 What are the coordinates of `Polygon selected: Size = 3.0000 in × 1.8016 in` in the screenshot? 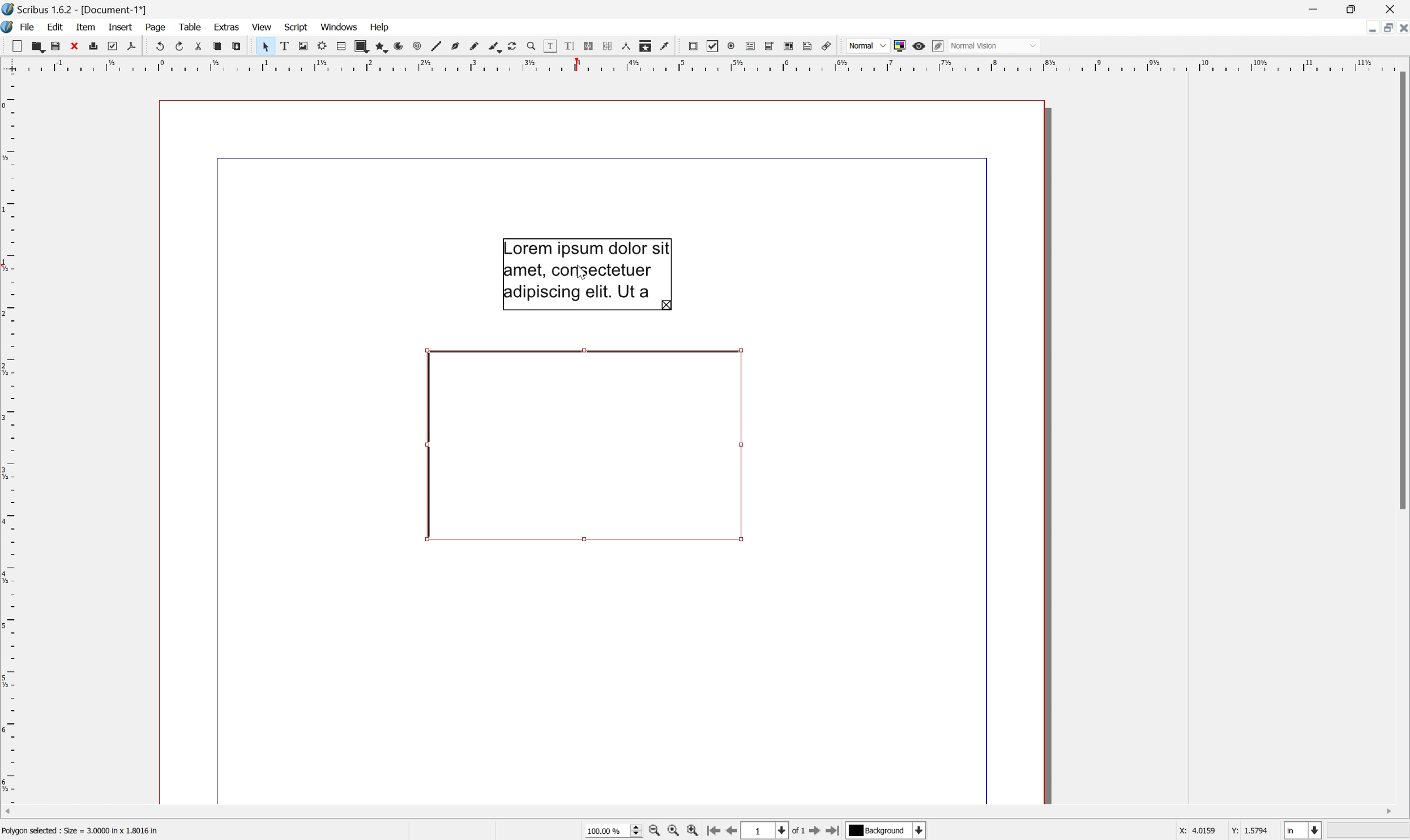 It's located at (84, 830).